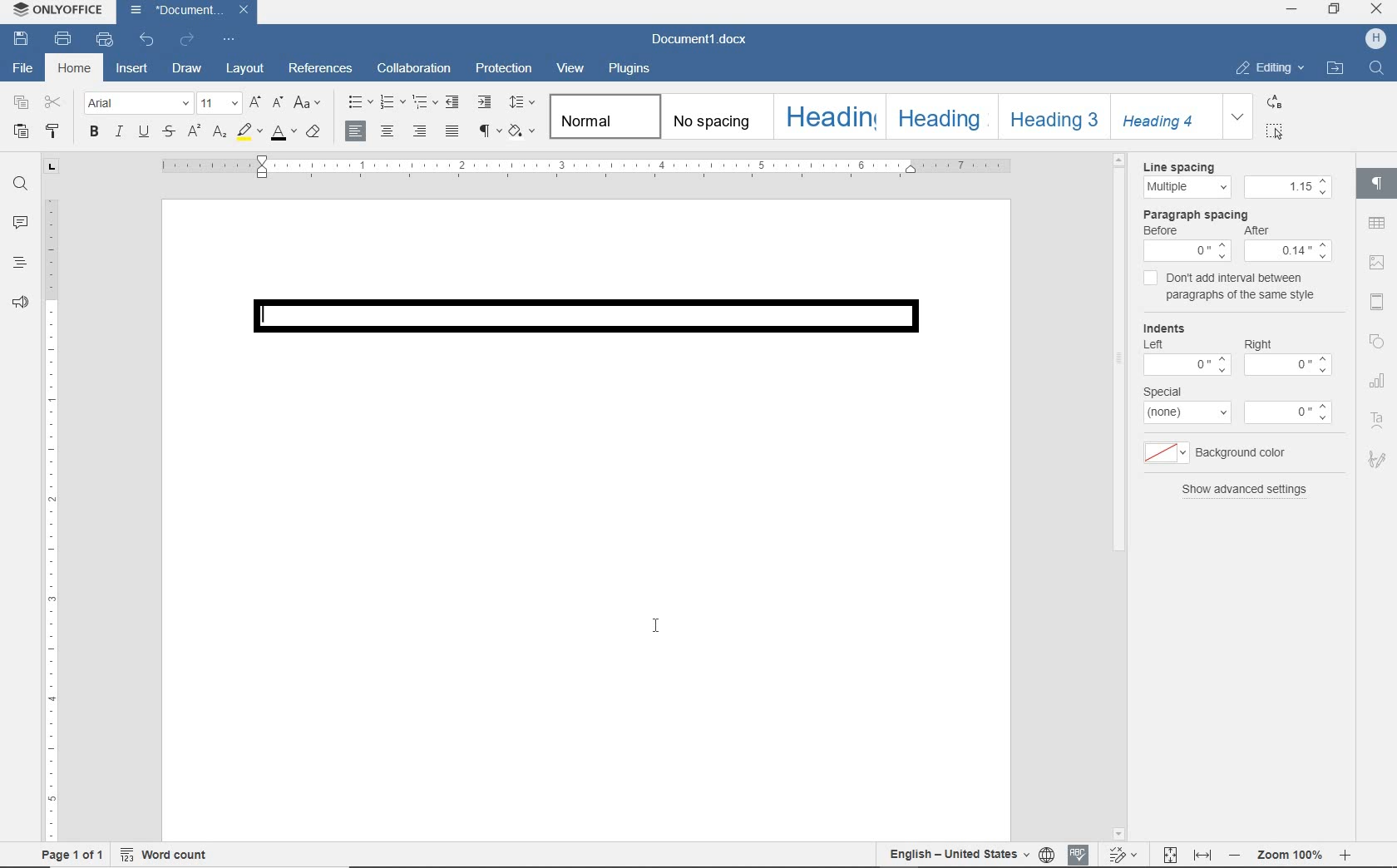  I want to click on header and footer, so click(1379, 303).